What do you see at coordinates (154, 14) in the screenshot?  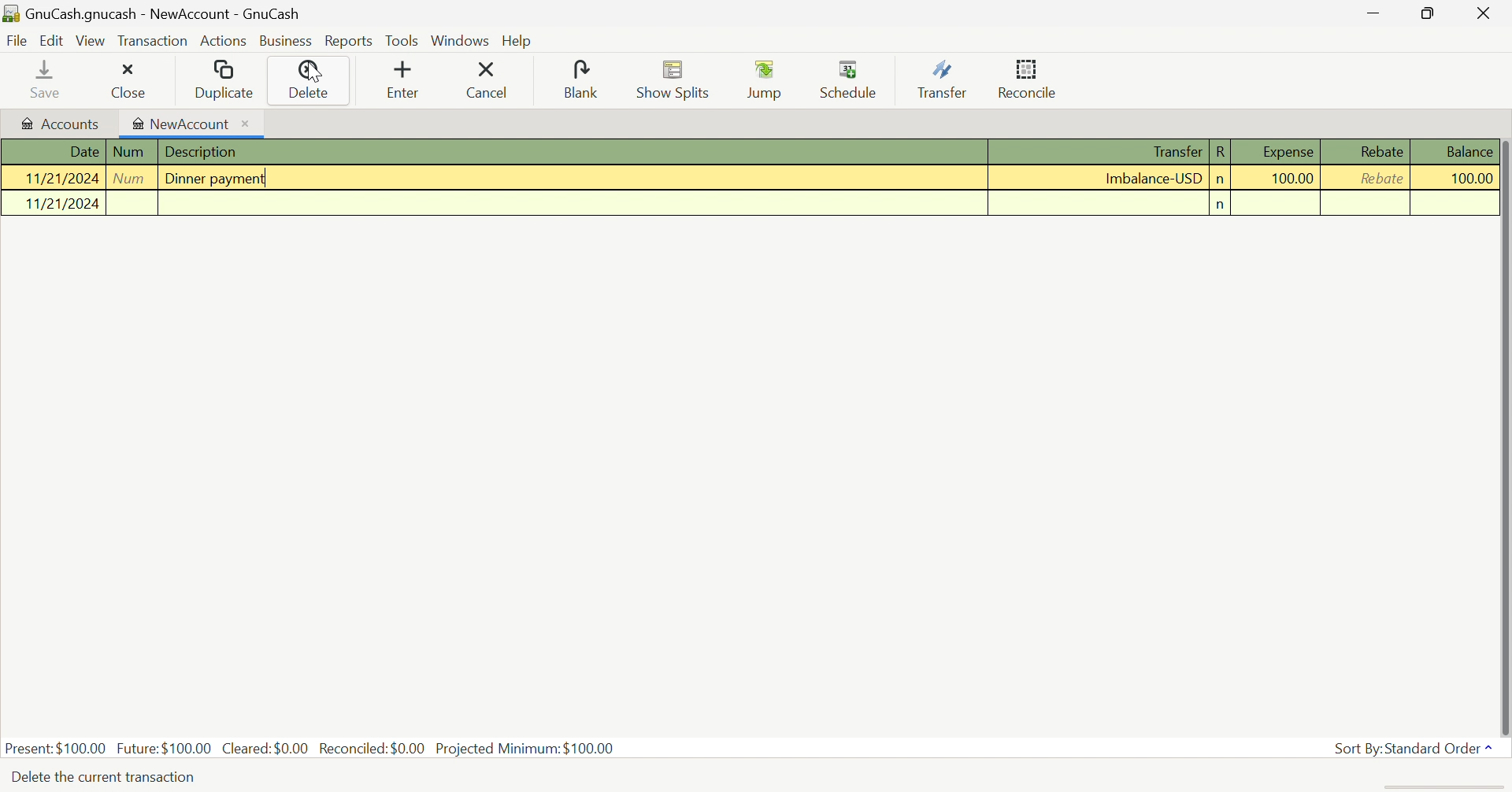 I see `GnuCash.gnucash - NewAccount - GnuCash` at bounding box center [154, 14].